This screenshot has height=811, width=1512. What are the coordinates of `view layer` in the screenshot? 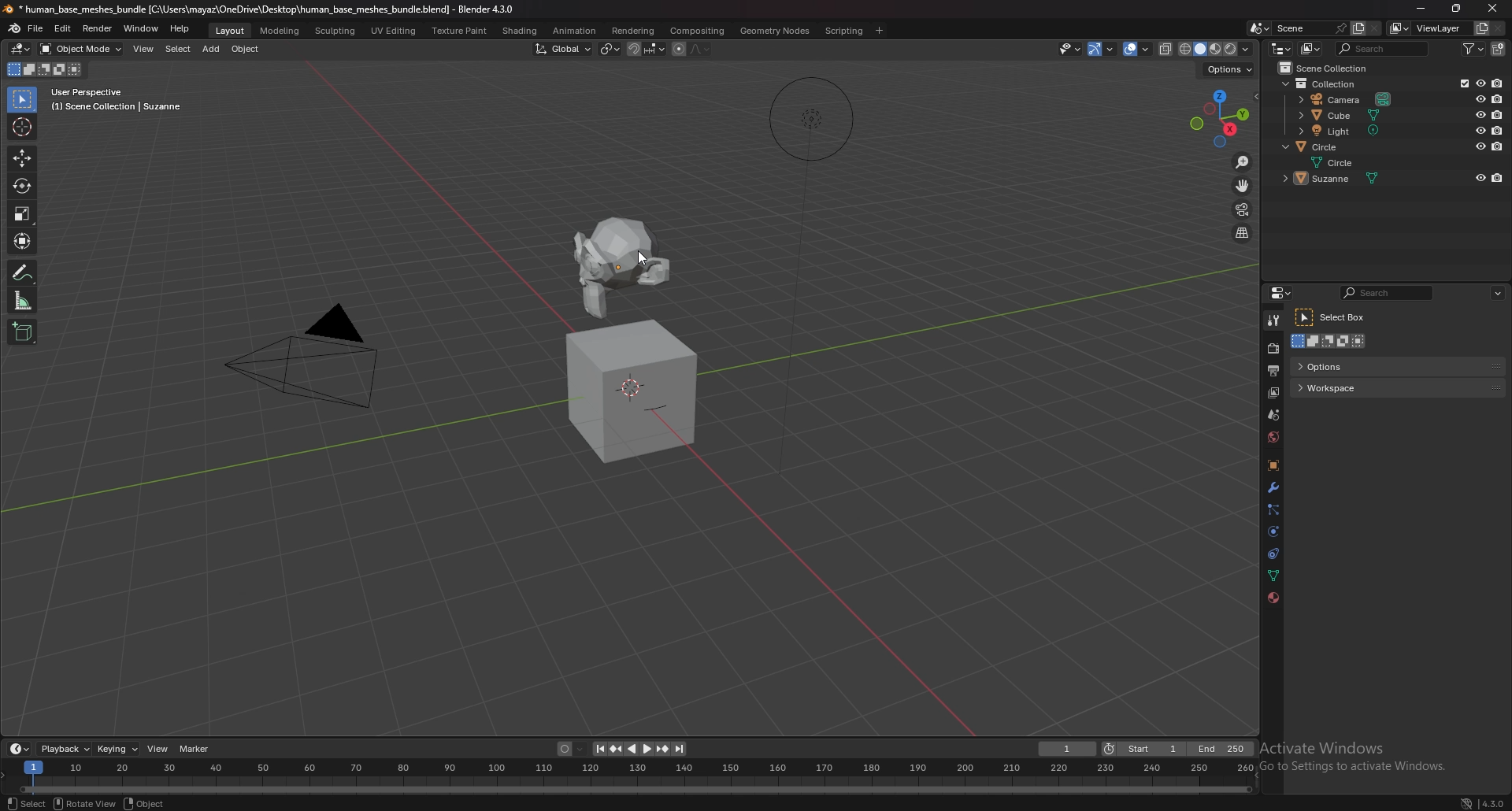 It's located at (1429, 28).